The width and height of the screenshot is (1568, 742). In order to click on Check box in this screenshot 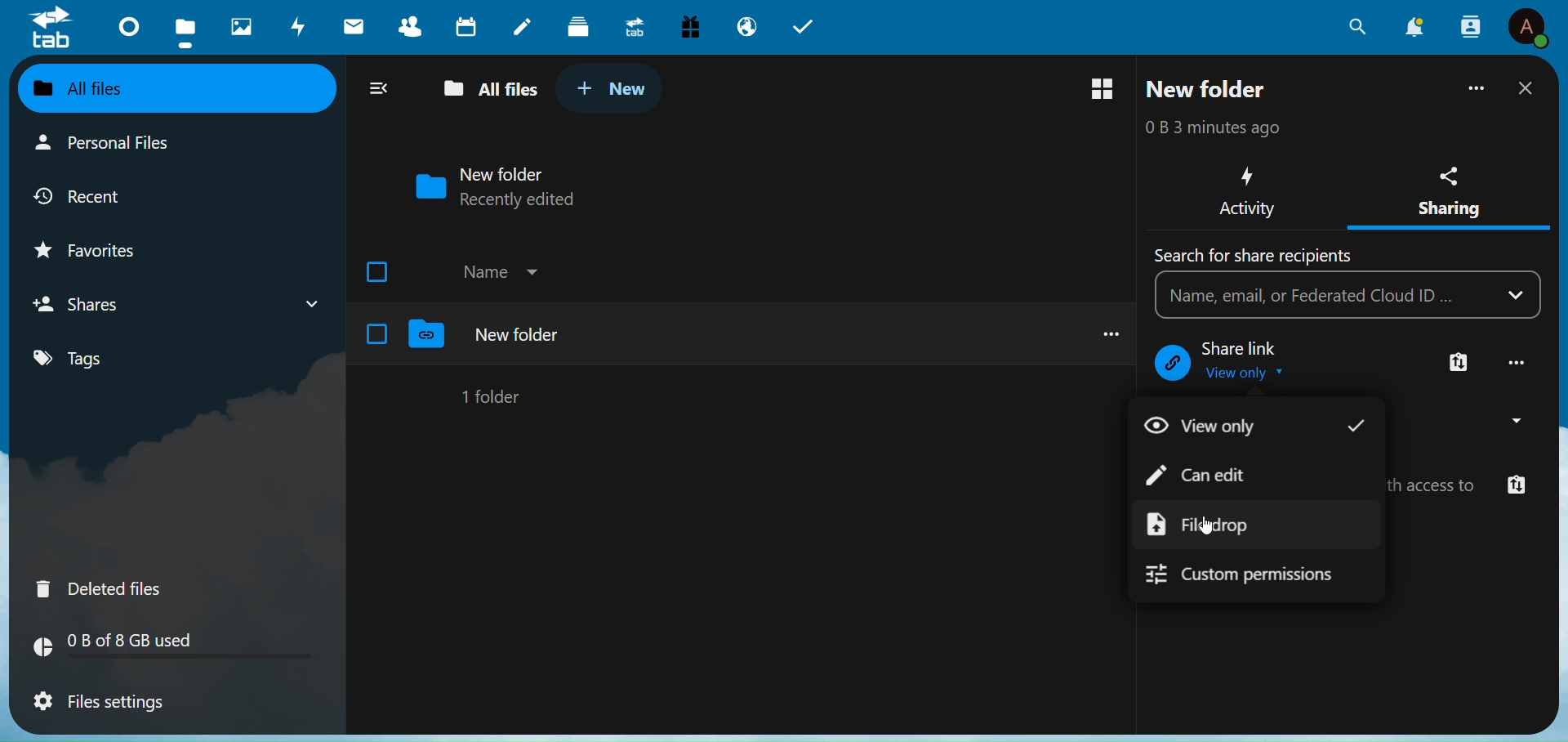, I will do `click(381, 270)`.